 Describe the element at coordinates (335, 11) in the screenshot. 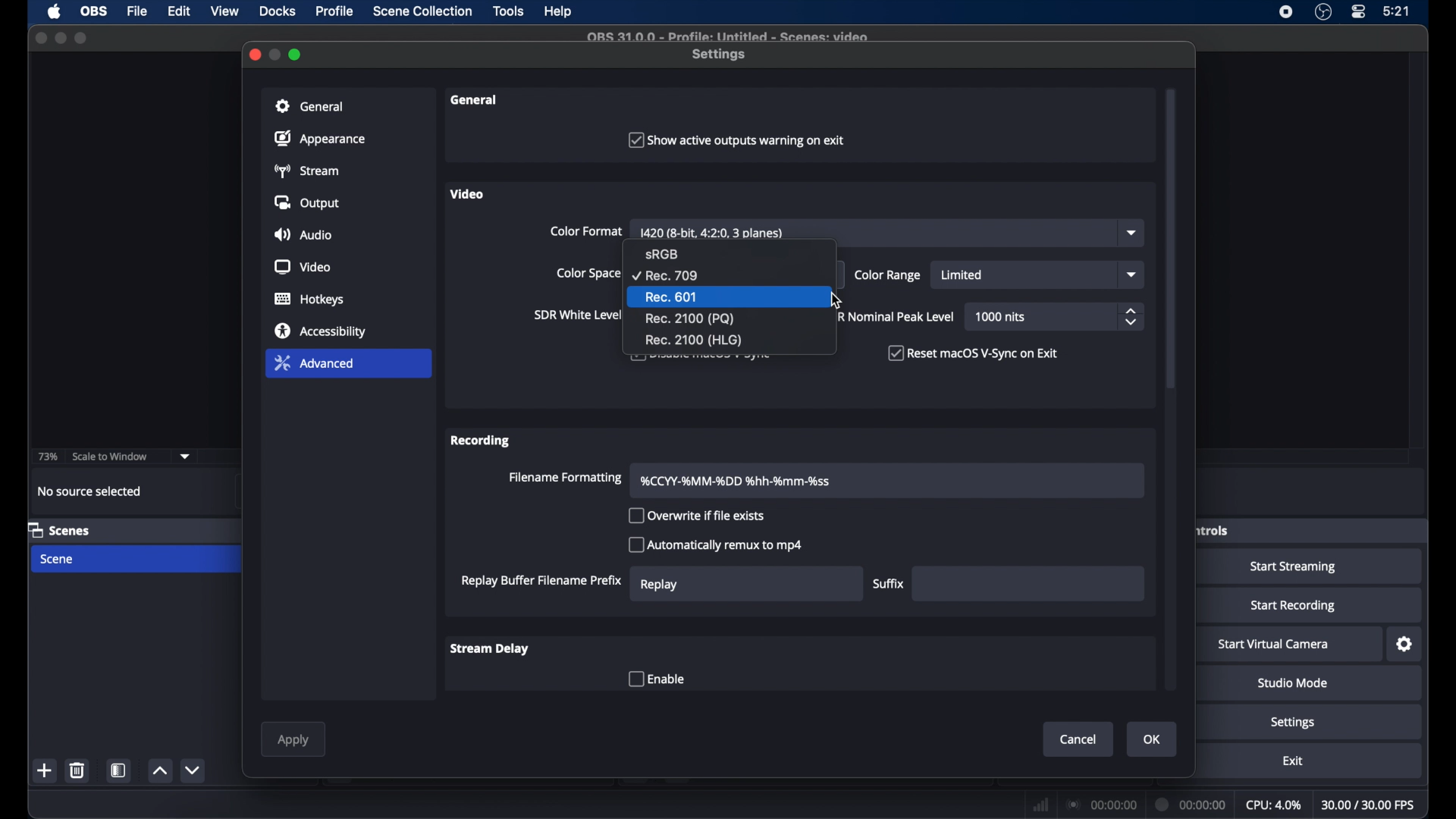

I see `profile` at that location.